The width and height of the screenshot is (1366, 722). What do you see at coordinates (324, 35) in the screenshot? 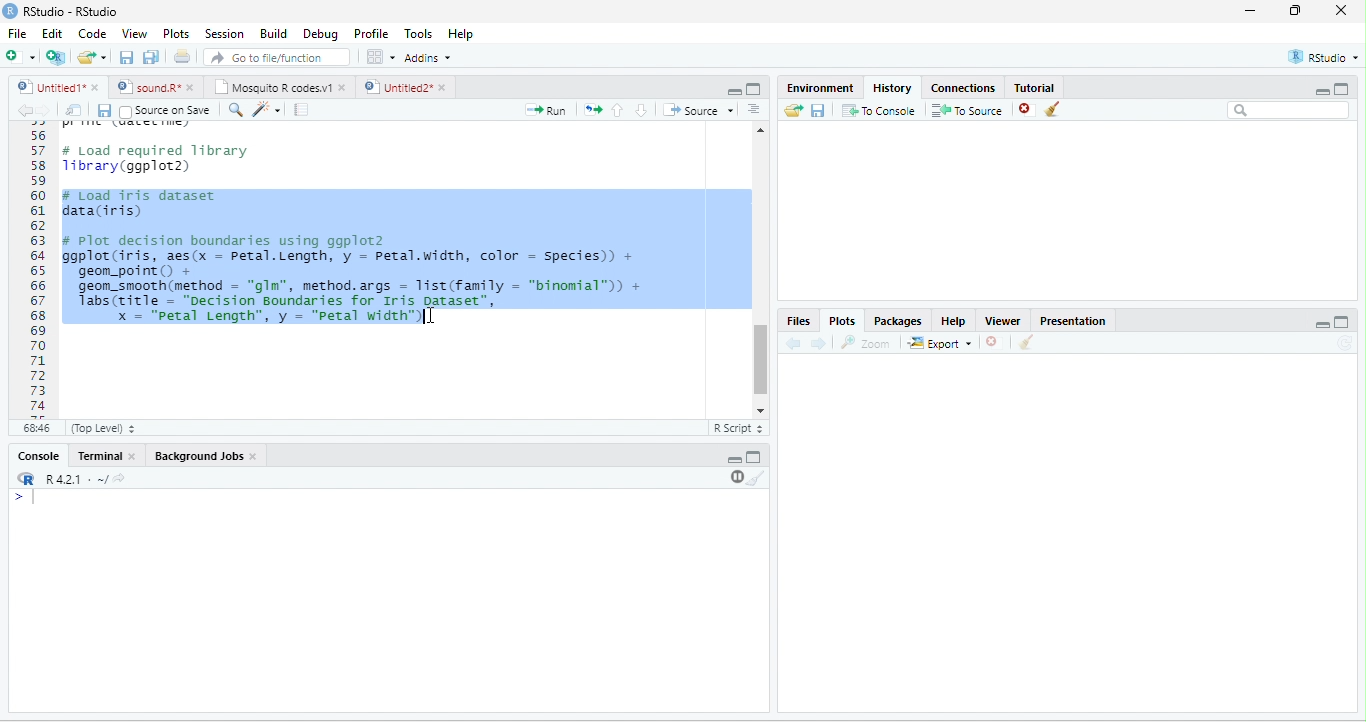
I see `Debug` at bounding box center [324, 35].